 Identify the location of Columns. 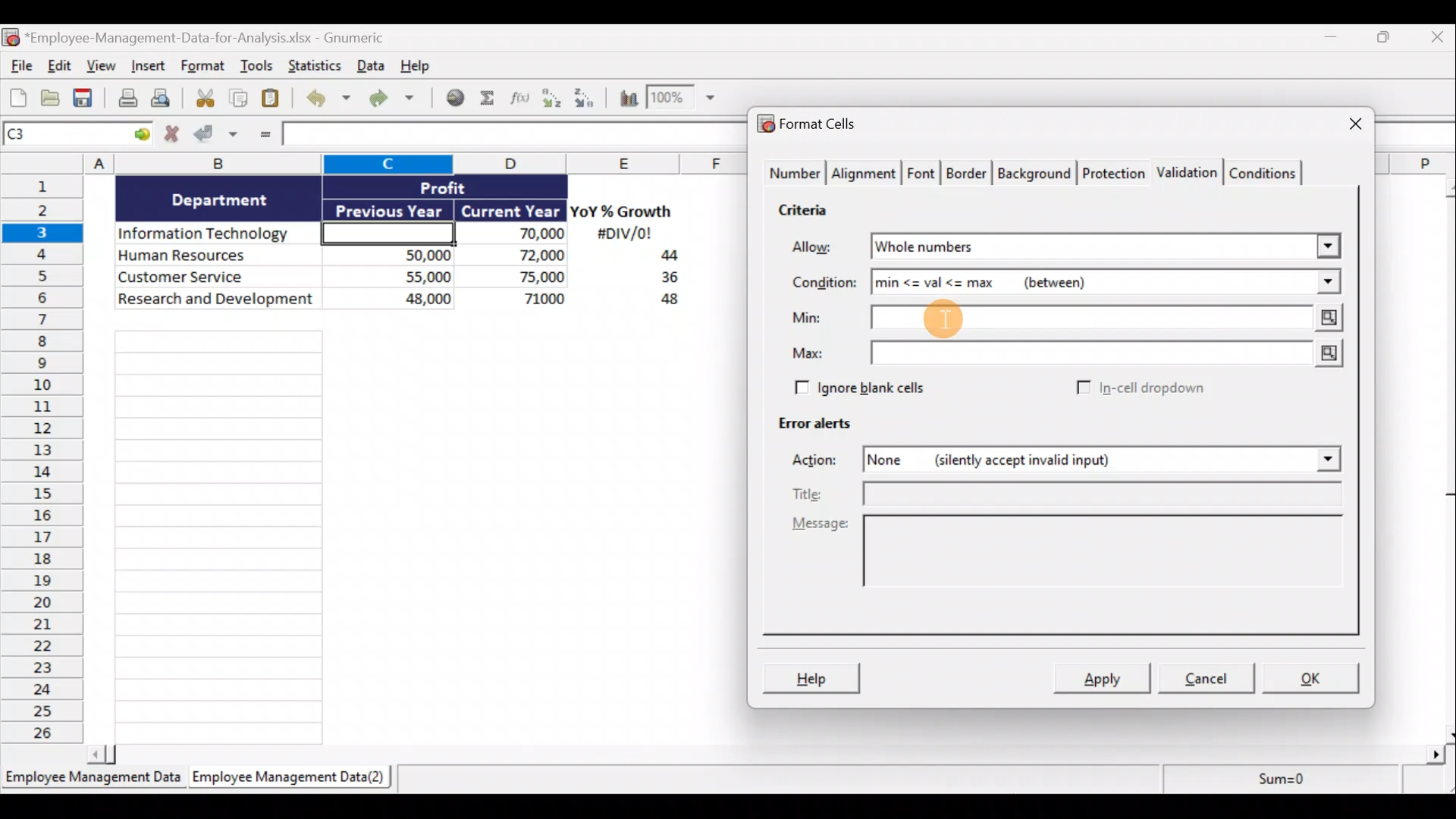
(380, 163).